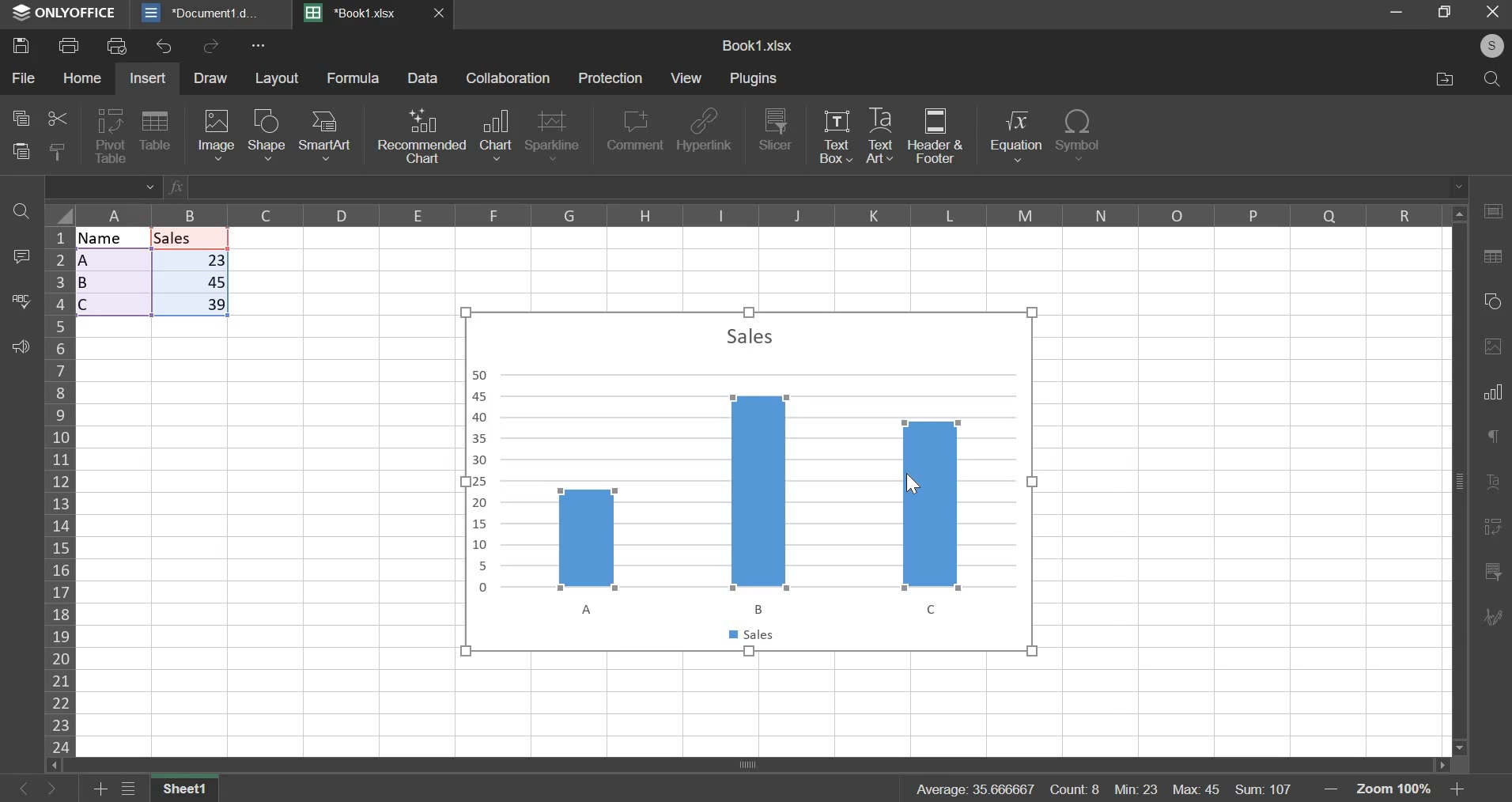 The height and width of the screenshot is (802, 1512). What do you see at coordinates (111, 137) in the screenshot?
I see `pivot table` at bounding box center [111, 137].